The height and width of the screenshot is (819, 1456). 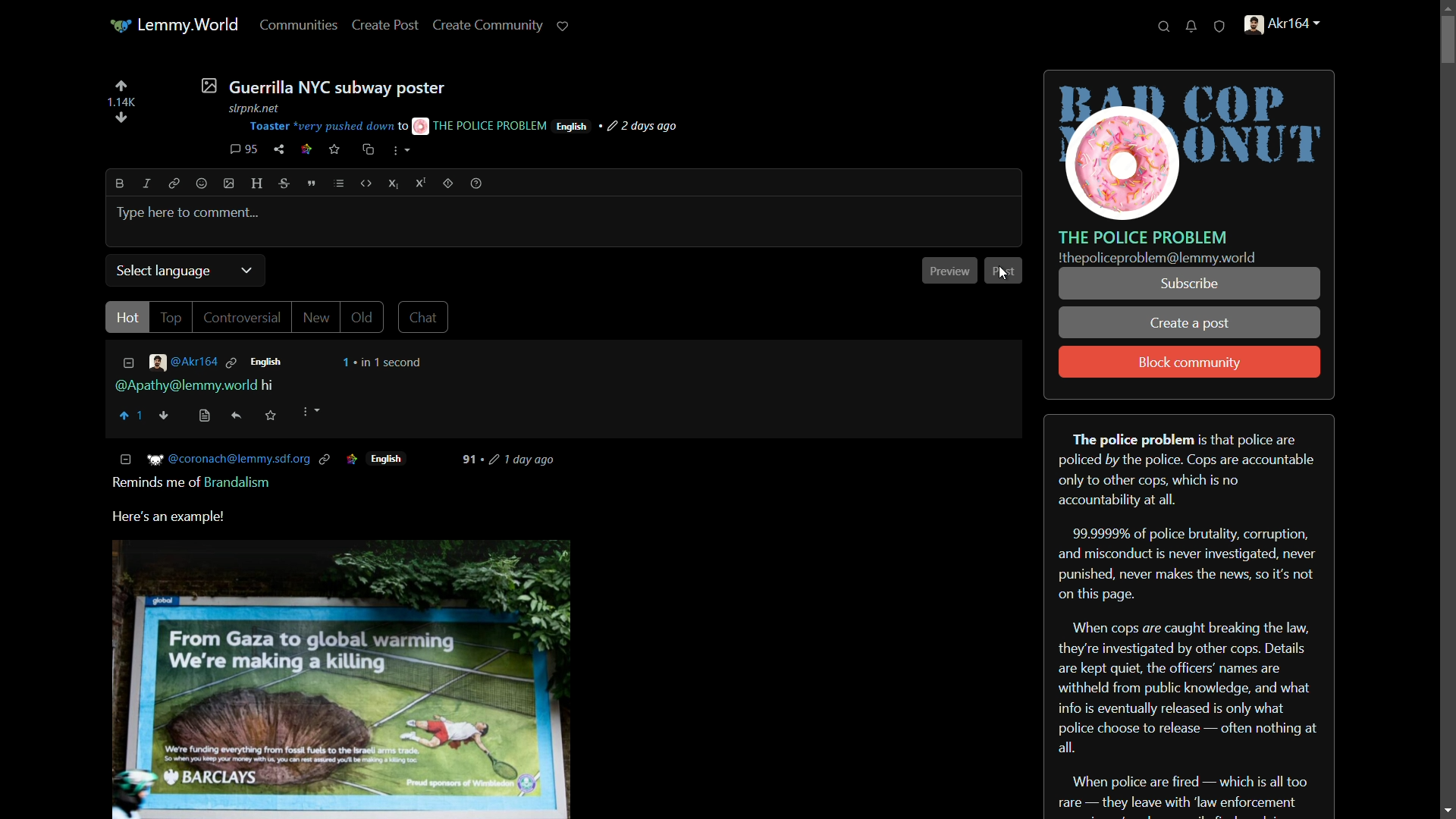 What do you see at coordinates (351, 457) in the screenshot?
I see `ICON` at bounding box center [351, 457].